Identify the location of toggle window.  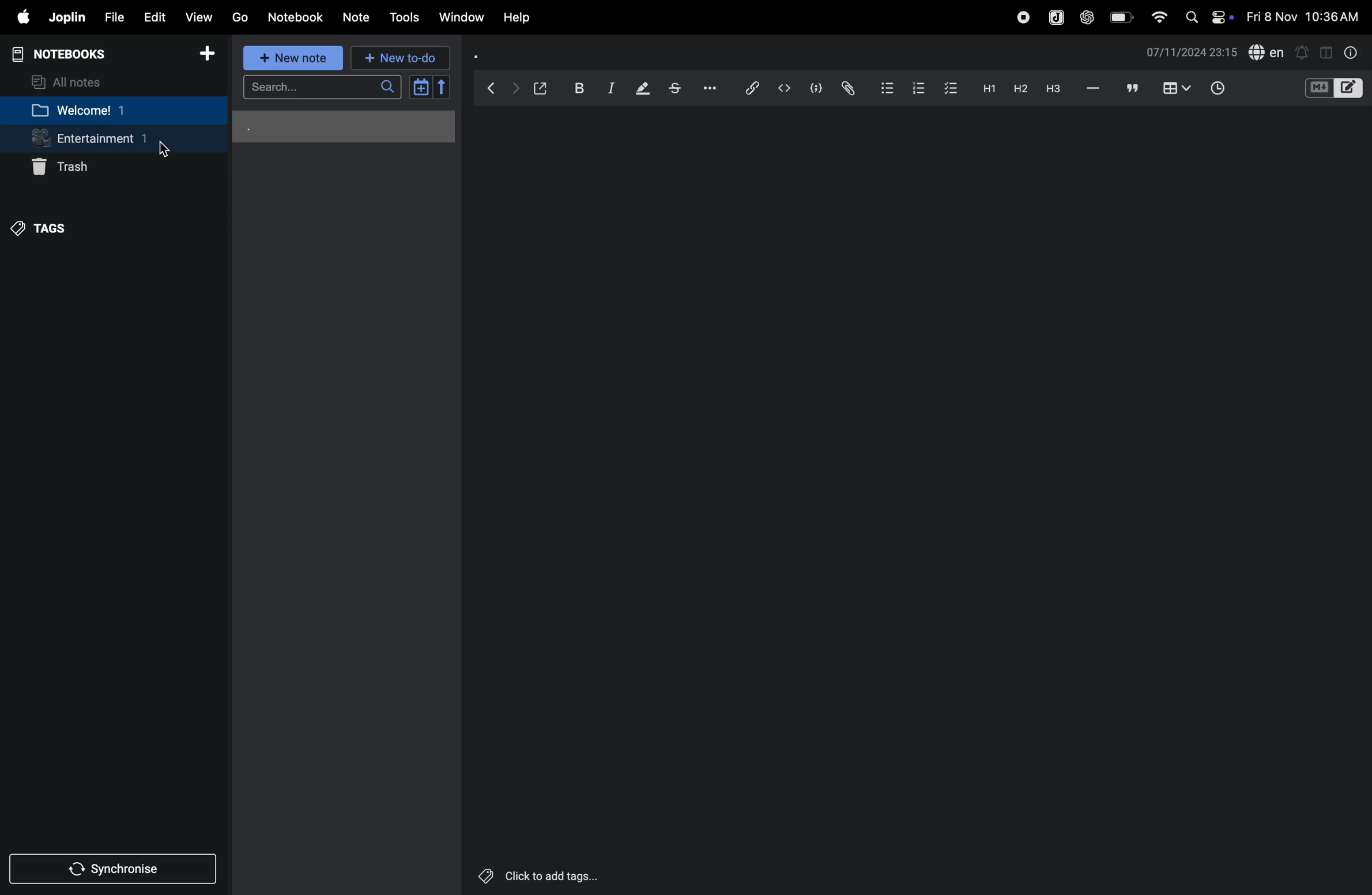
(1327, 51).